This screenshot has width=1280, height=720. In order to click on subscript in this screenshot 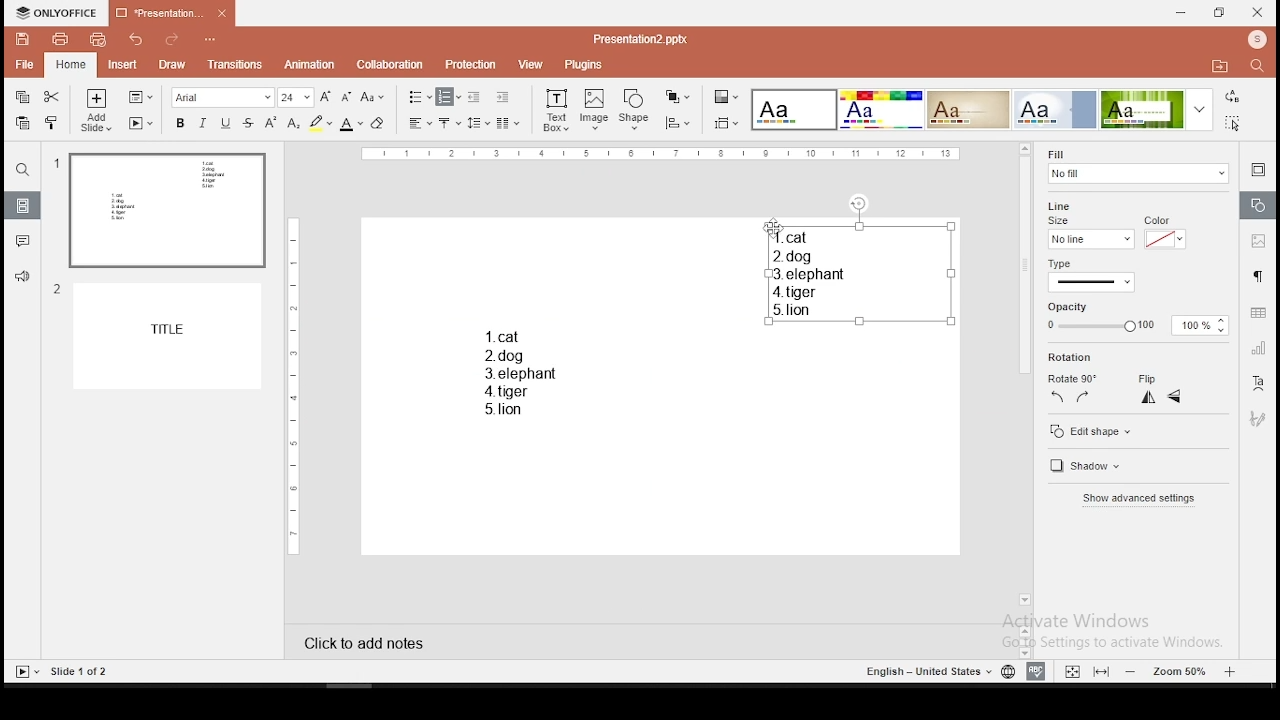, I will do `click(293, 123)`.